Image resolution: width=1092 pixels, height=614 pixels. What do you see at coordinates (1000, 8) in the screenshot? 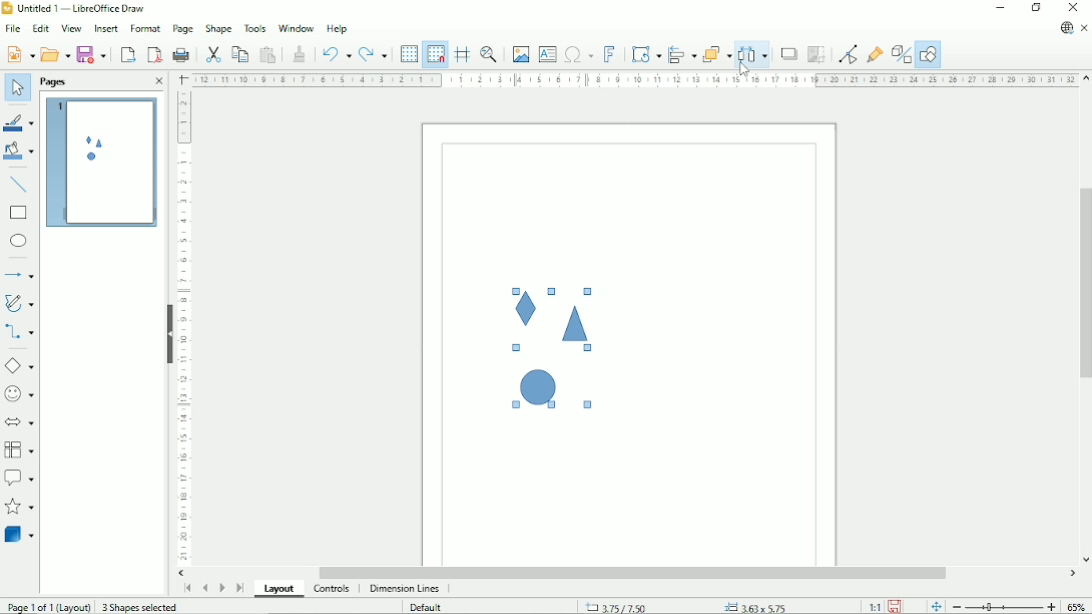
I see `Minimize` at bounding box center [1000, 8].